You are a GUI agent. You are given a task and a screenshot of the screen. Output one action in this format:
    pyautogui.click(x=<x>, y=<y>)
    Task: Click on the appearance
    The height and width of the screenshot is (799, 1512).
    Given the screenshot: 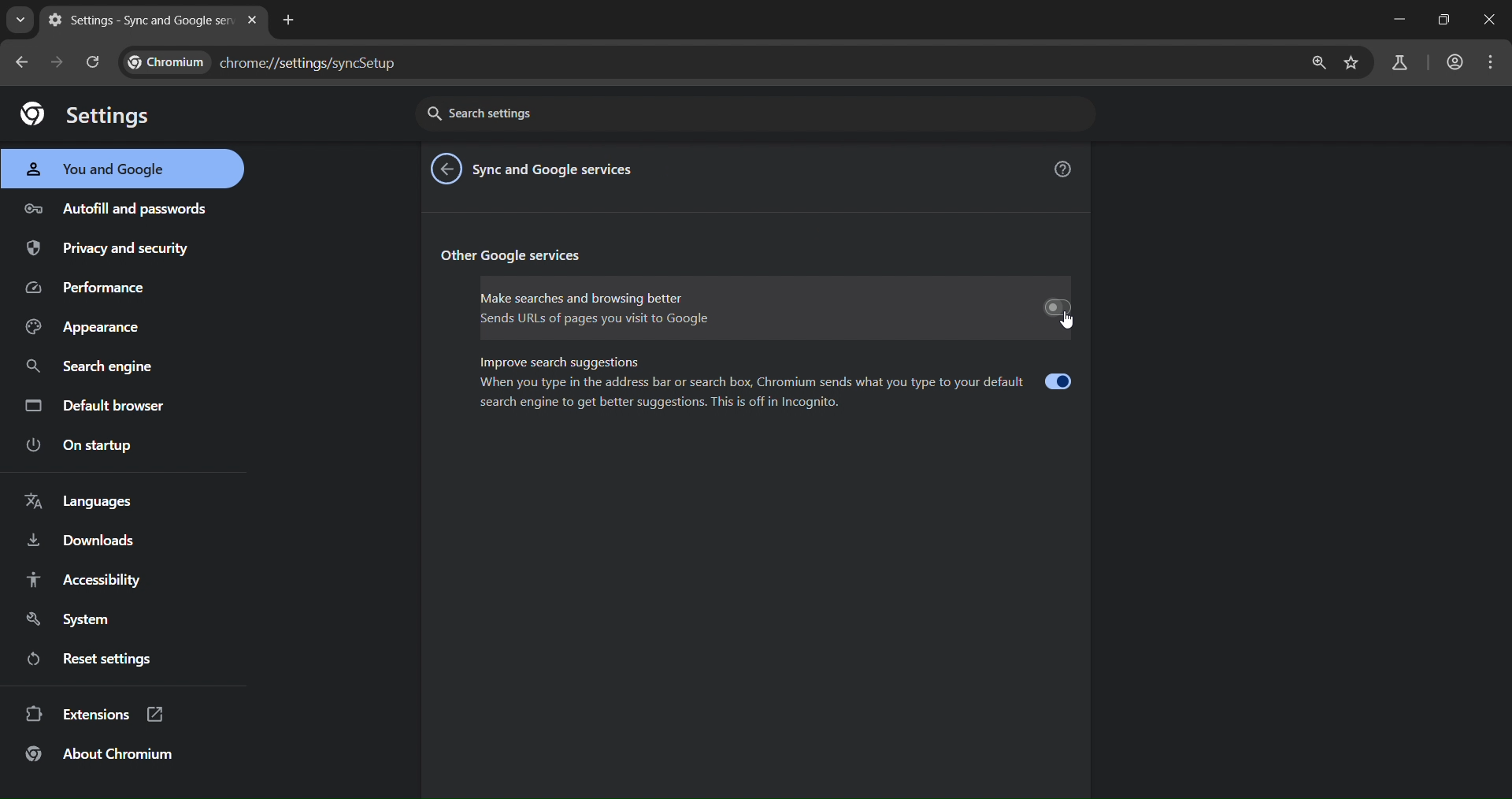 What is the action you would take?
    pyautogui.click(x=88, y=328)
    